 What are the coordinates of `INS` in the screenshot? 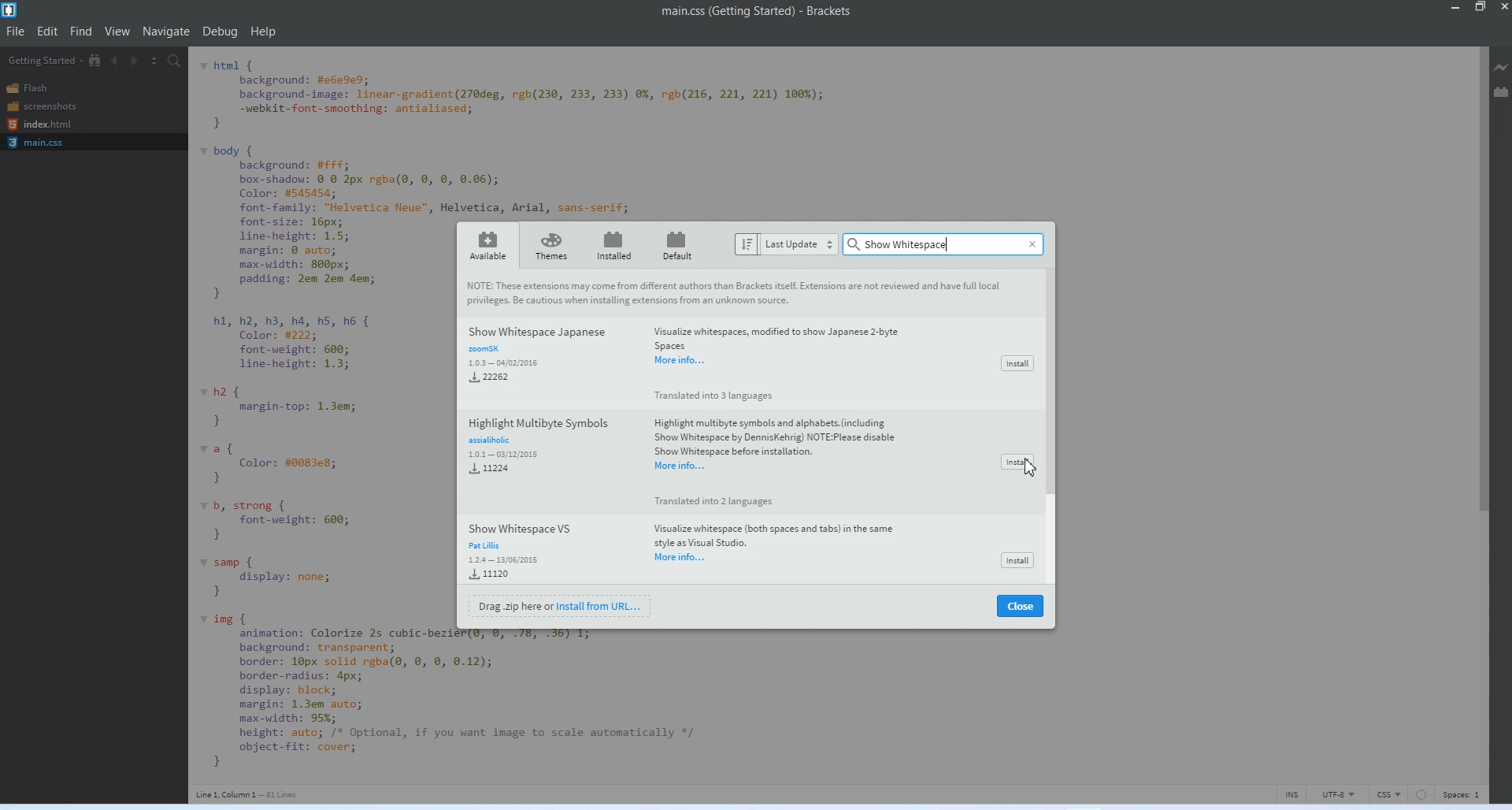 It's located at (1292, 794).